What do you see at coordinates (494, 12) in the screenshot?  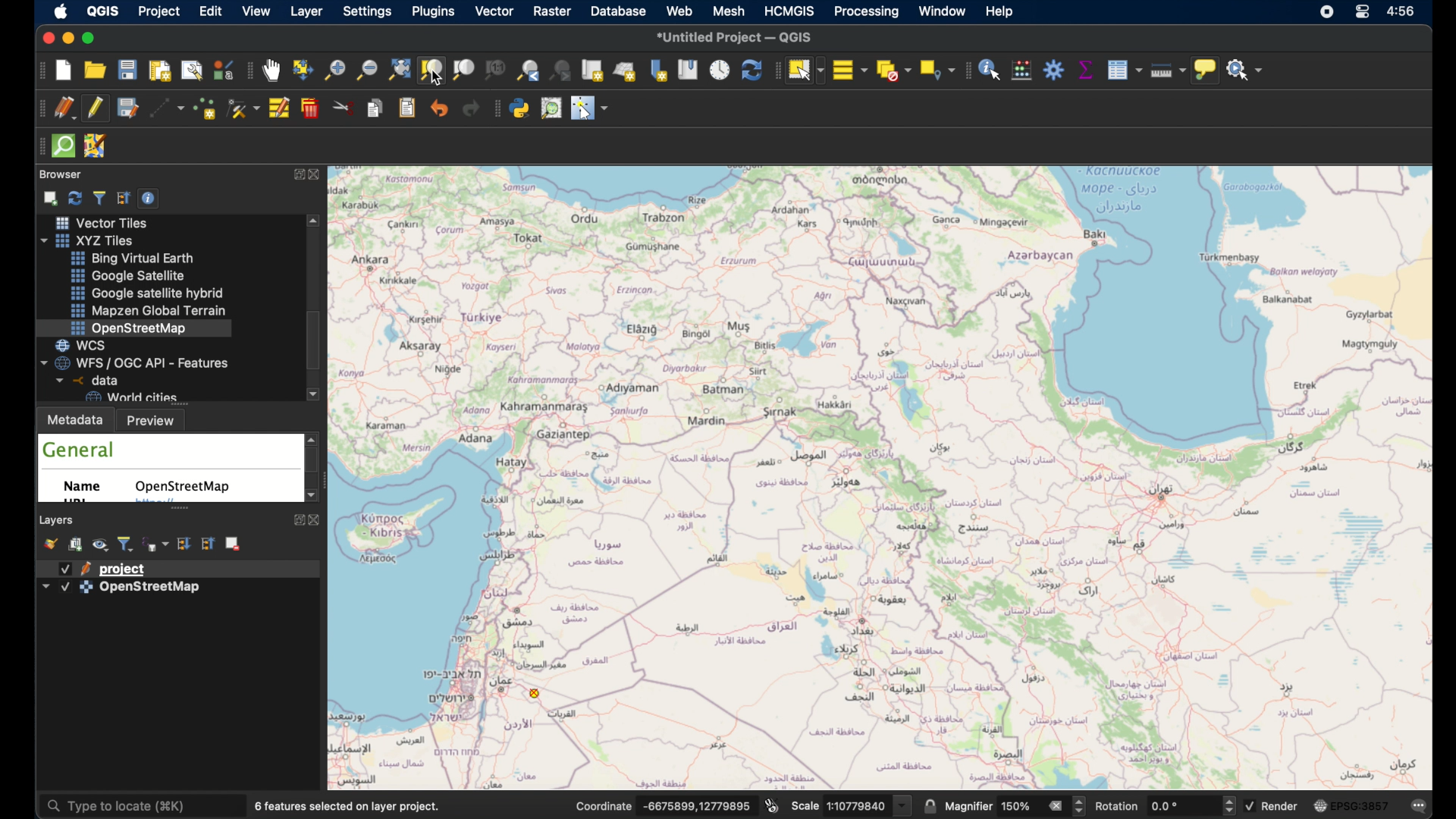 I see `vector` at bounding box center [494, 12].